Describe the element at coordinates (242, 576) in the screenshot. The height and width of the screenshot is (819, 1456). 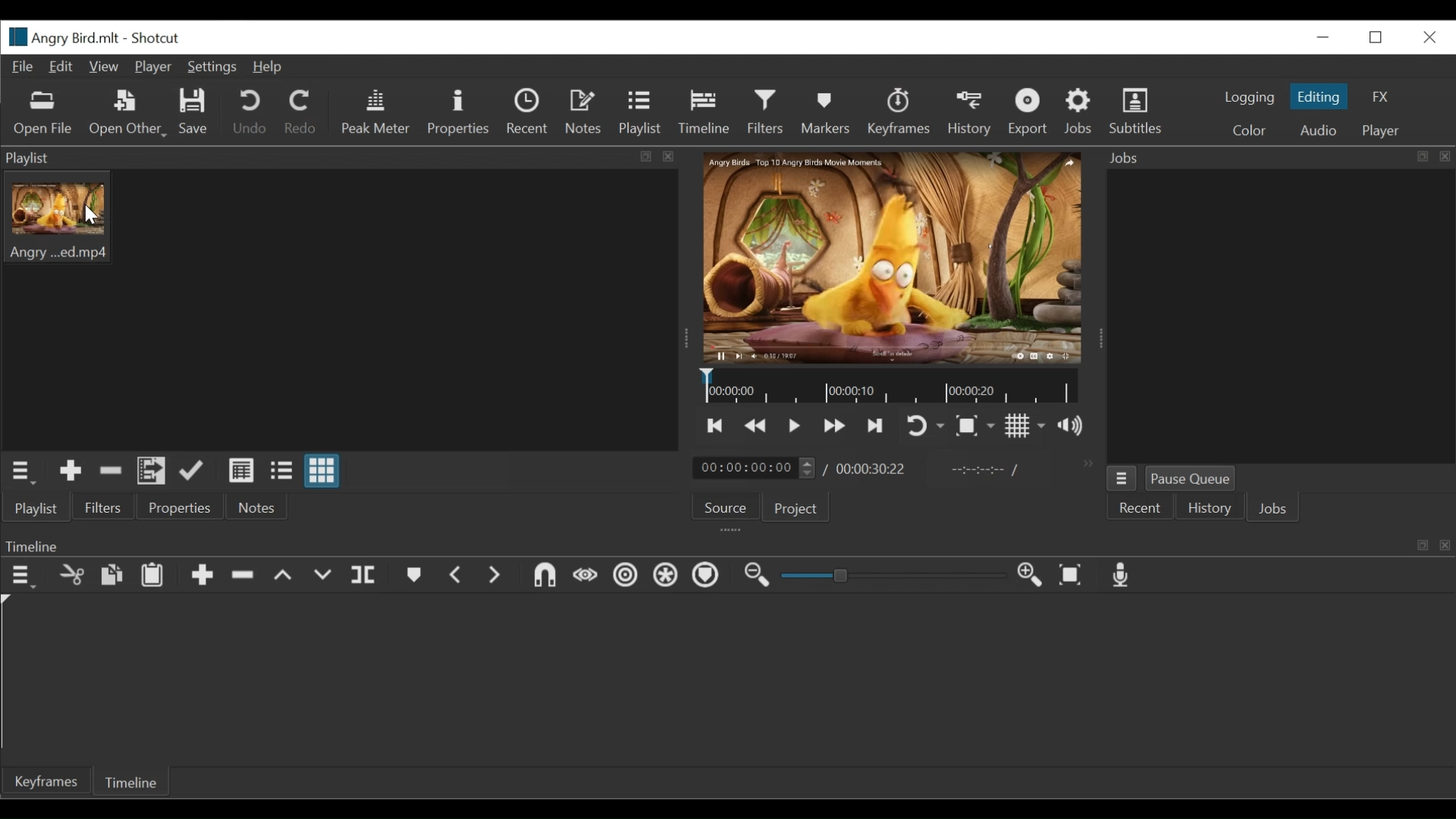
I see `Ripple Delete` at that location.